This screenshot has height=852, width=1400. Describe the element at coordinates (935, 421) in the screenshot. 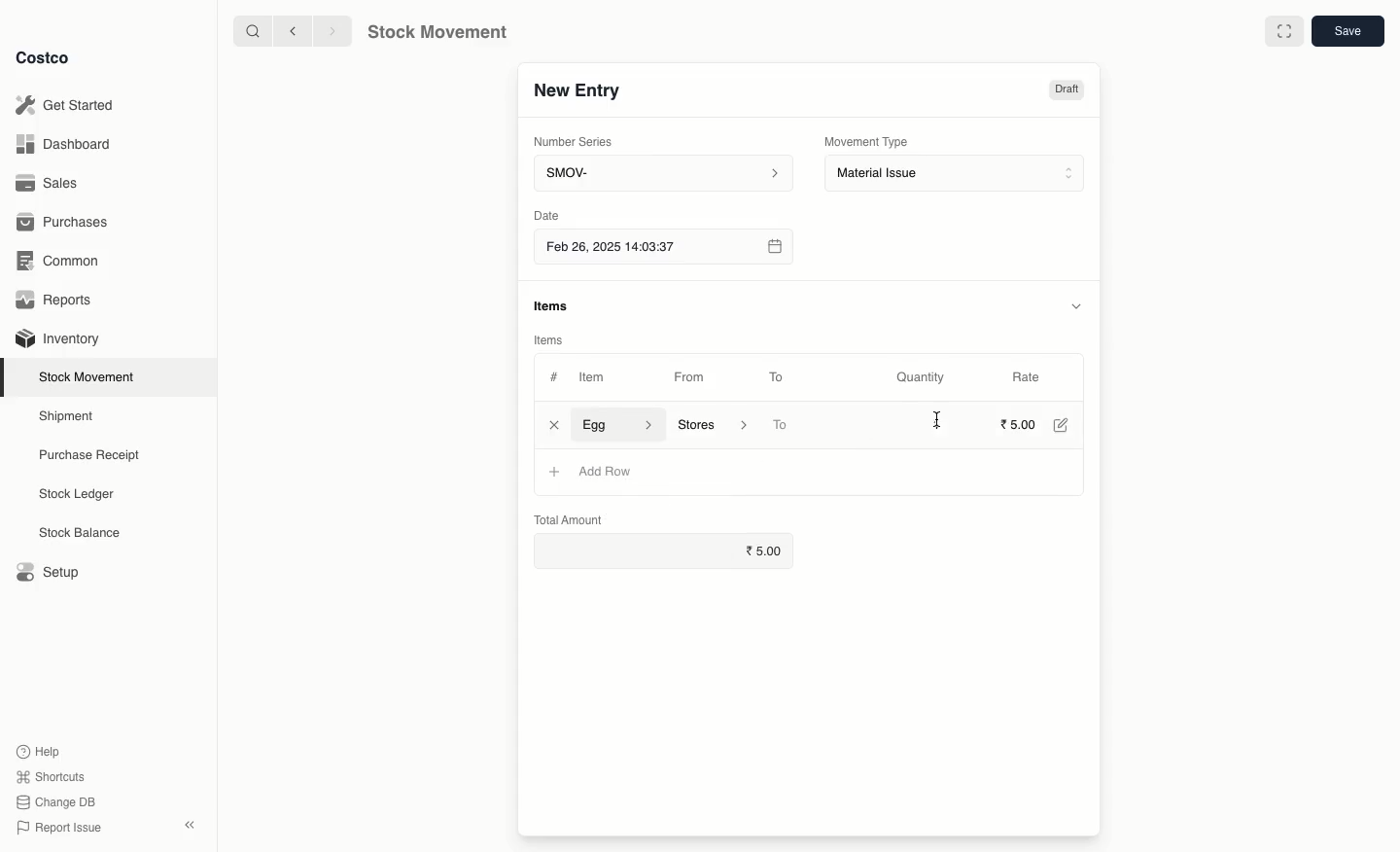

I see `cursor` at that location.